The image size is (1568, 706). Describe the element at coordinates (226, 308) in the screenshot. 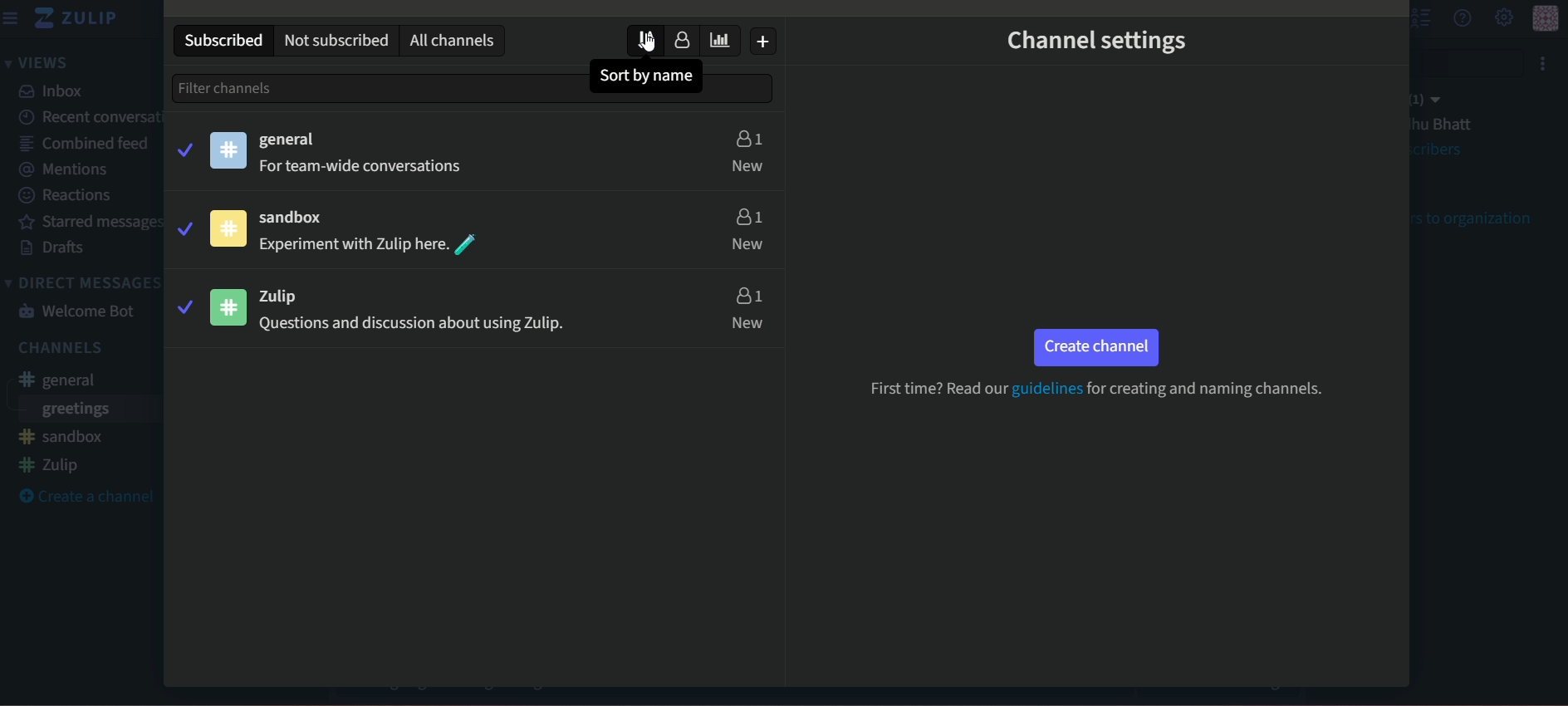

I see `icon` at that location.